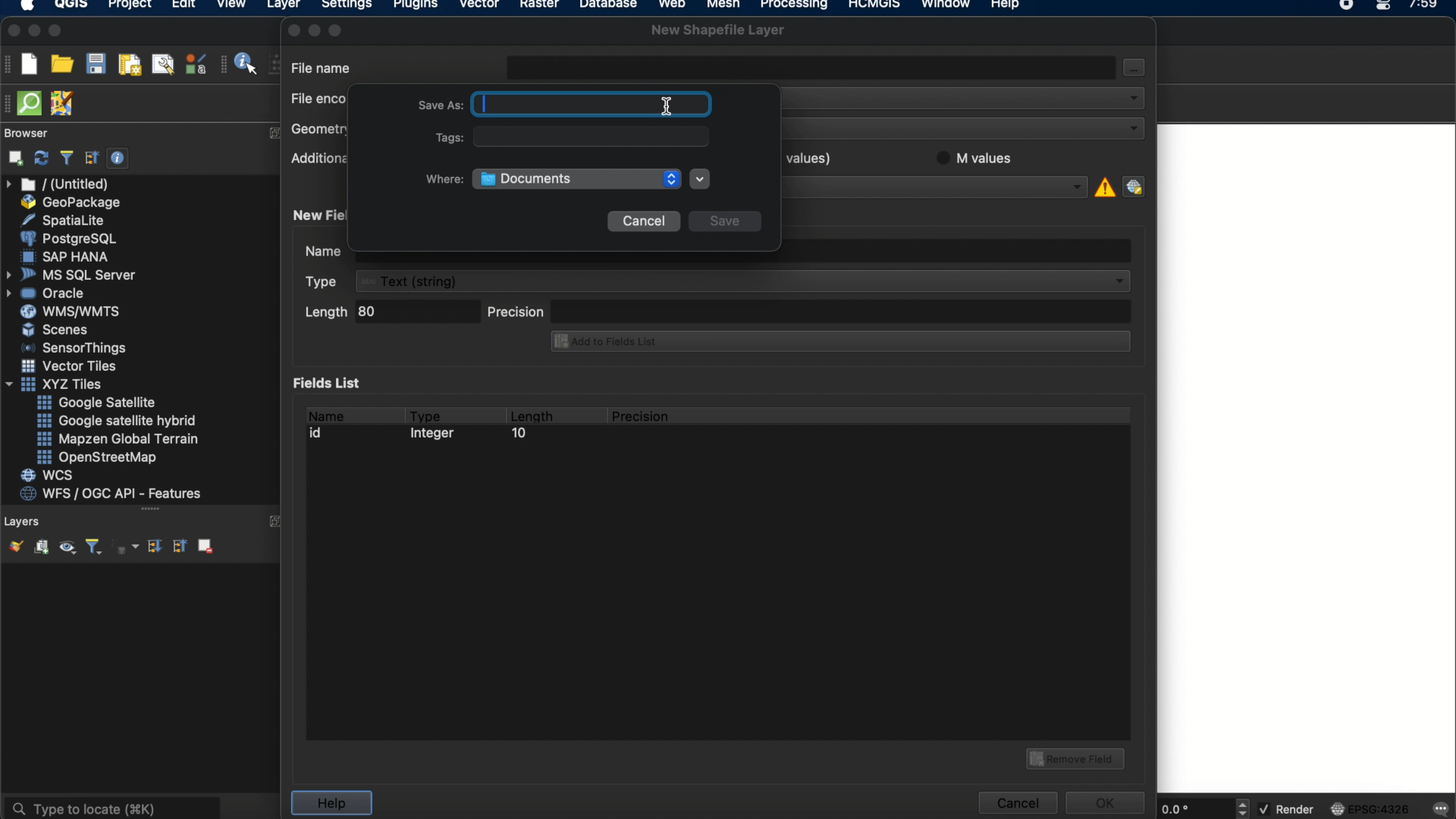  Describe the element at coordinates (1132, 128) in the screenshot. I see `dropdown` at that location.